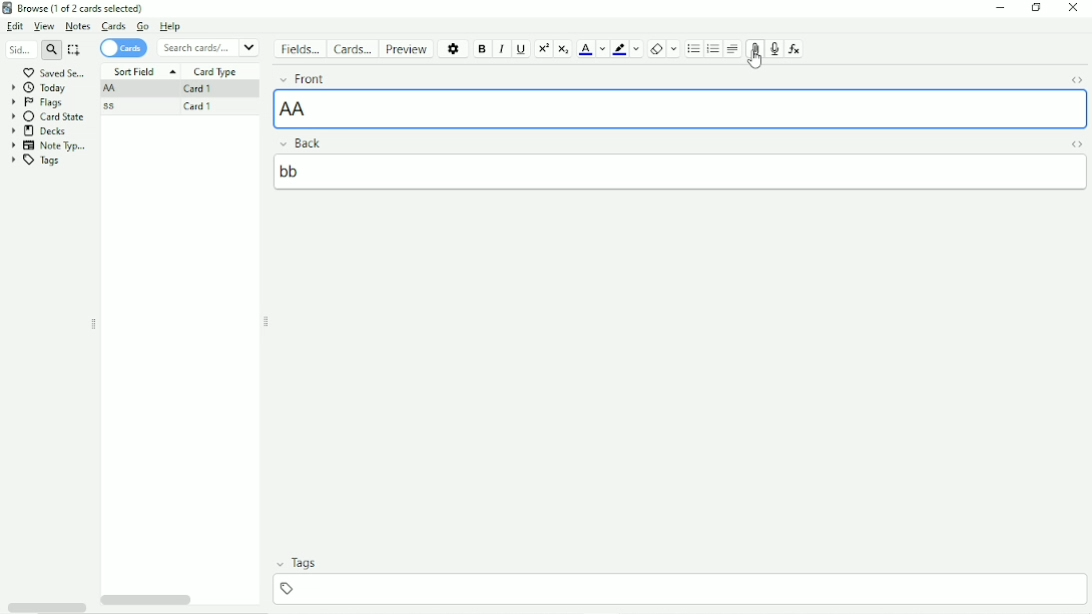  Describe the element at coordinates (754, 48) in the screenshot. I see `Attach pictures/audio/video` at that location.